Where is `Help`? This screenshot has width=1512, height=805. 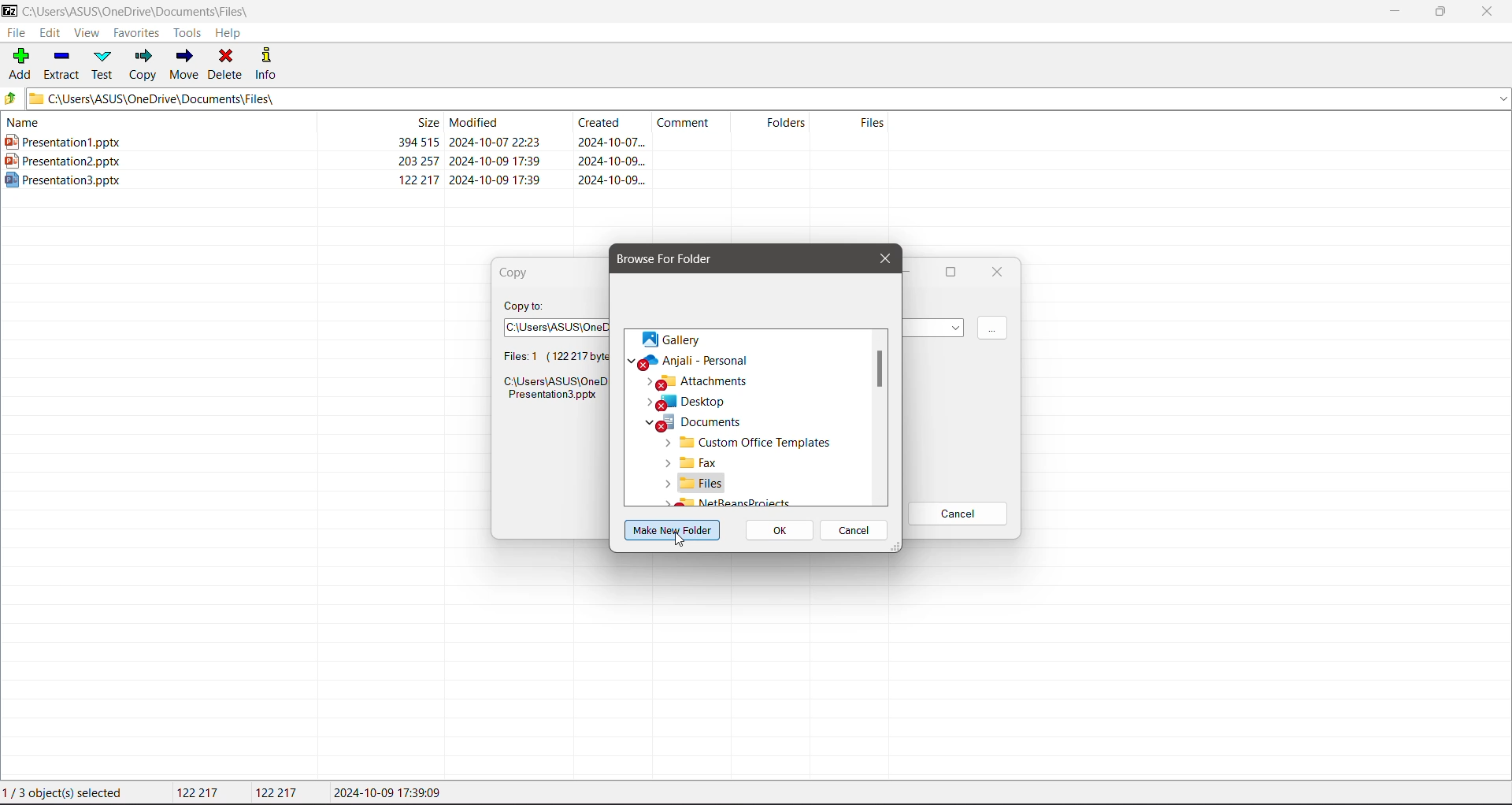 Help is located at coordinates (230, 34).